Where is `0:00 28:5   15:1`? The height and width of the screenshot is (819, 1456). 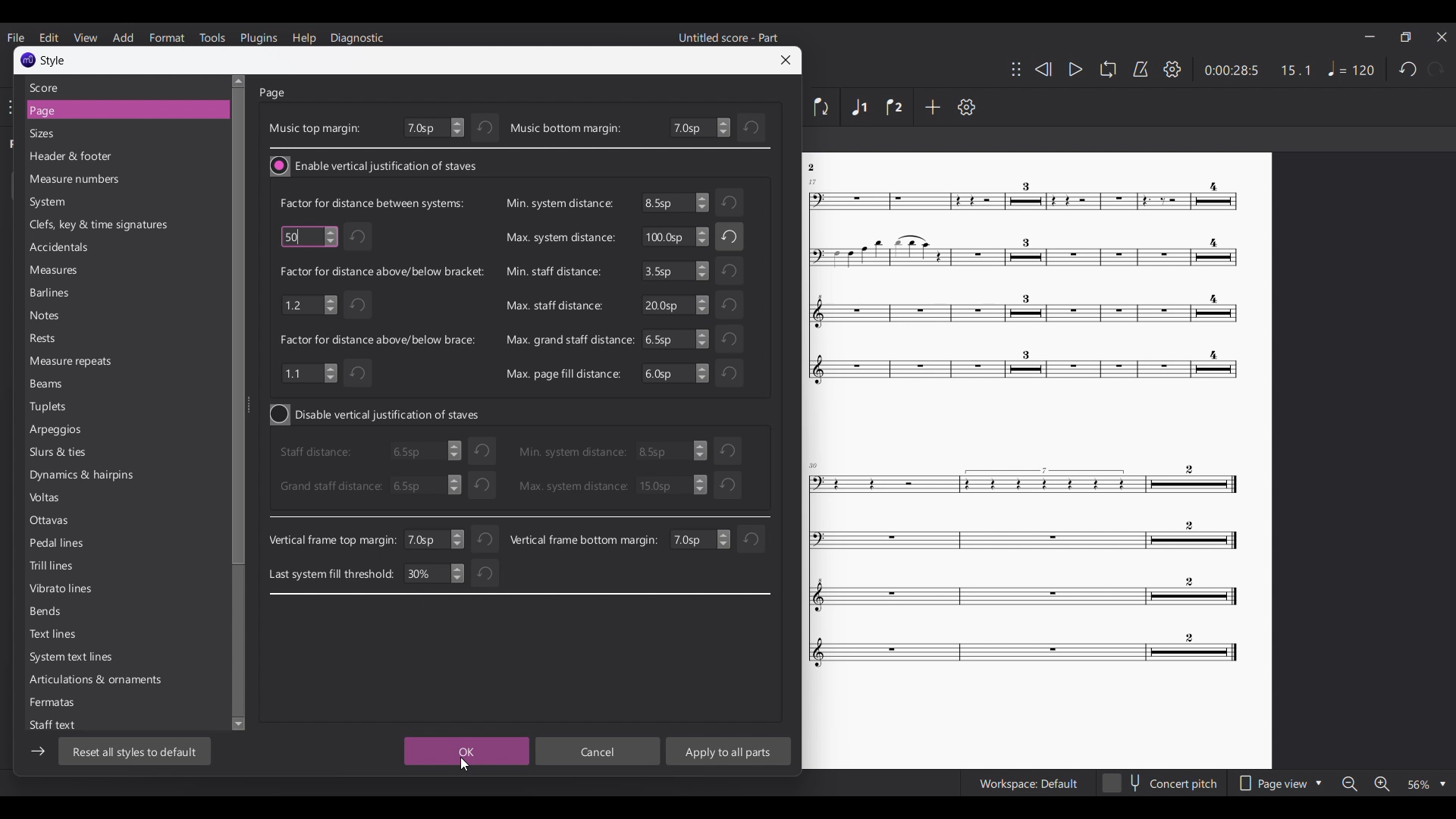
0:00 28:5   15:1 is located at coordinates (1257, 71).